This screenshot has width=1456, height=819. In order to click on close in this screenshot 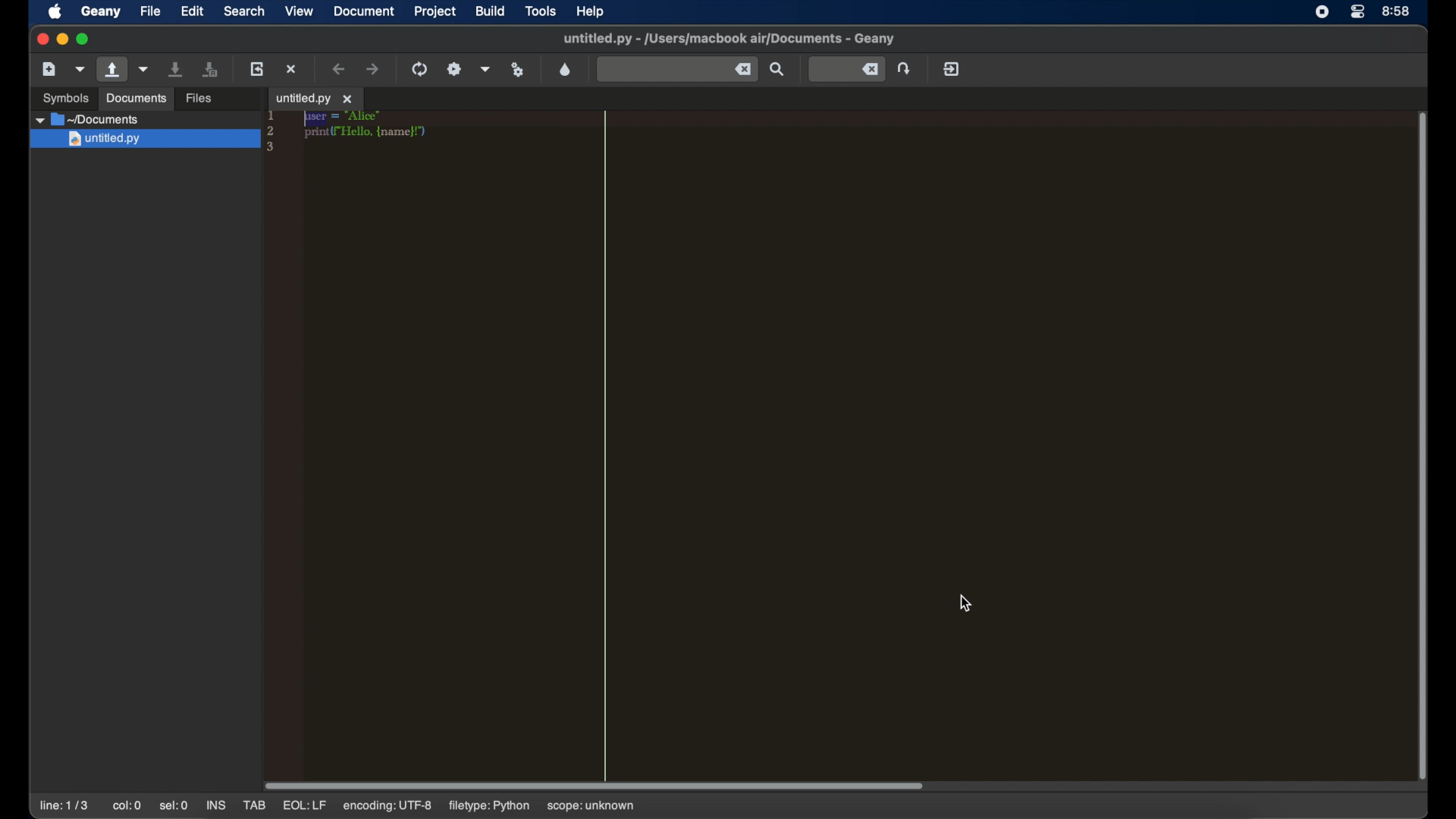, I will do `click(41, 39)`.